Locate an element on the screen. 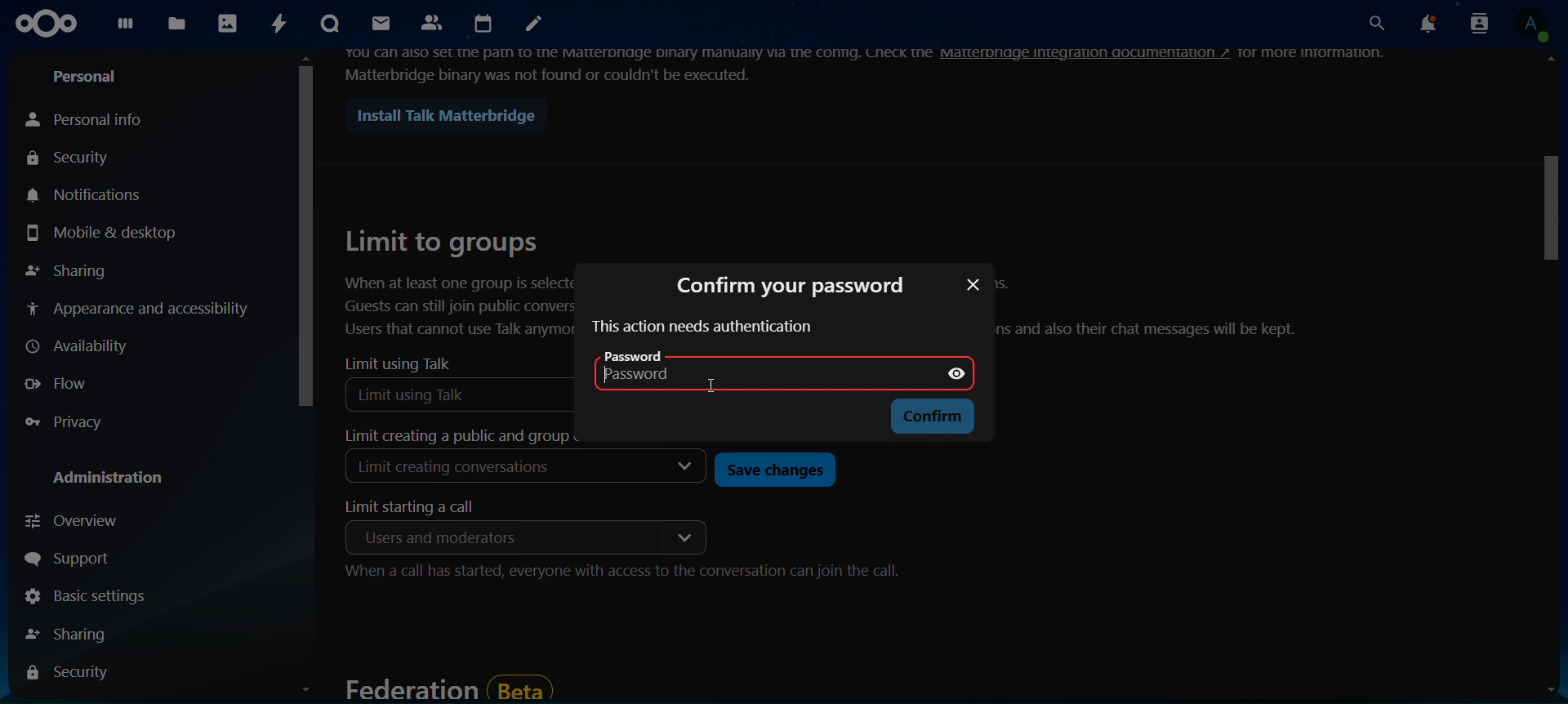 The width and height of the screenshot is (1568, 704). mobile & desktop is located at coordinates (102, 234).